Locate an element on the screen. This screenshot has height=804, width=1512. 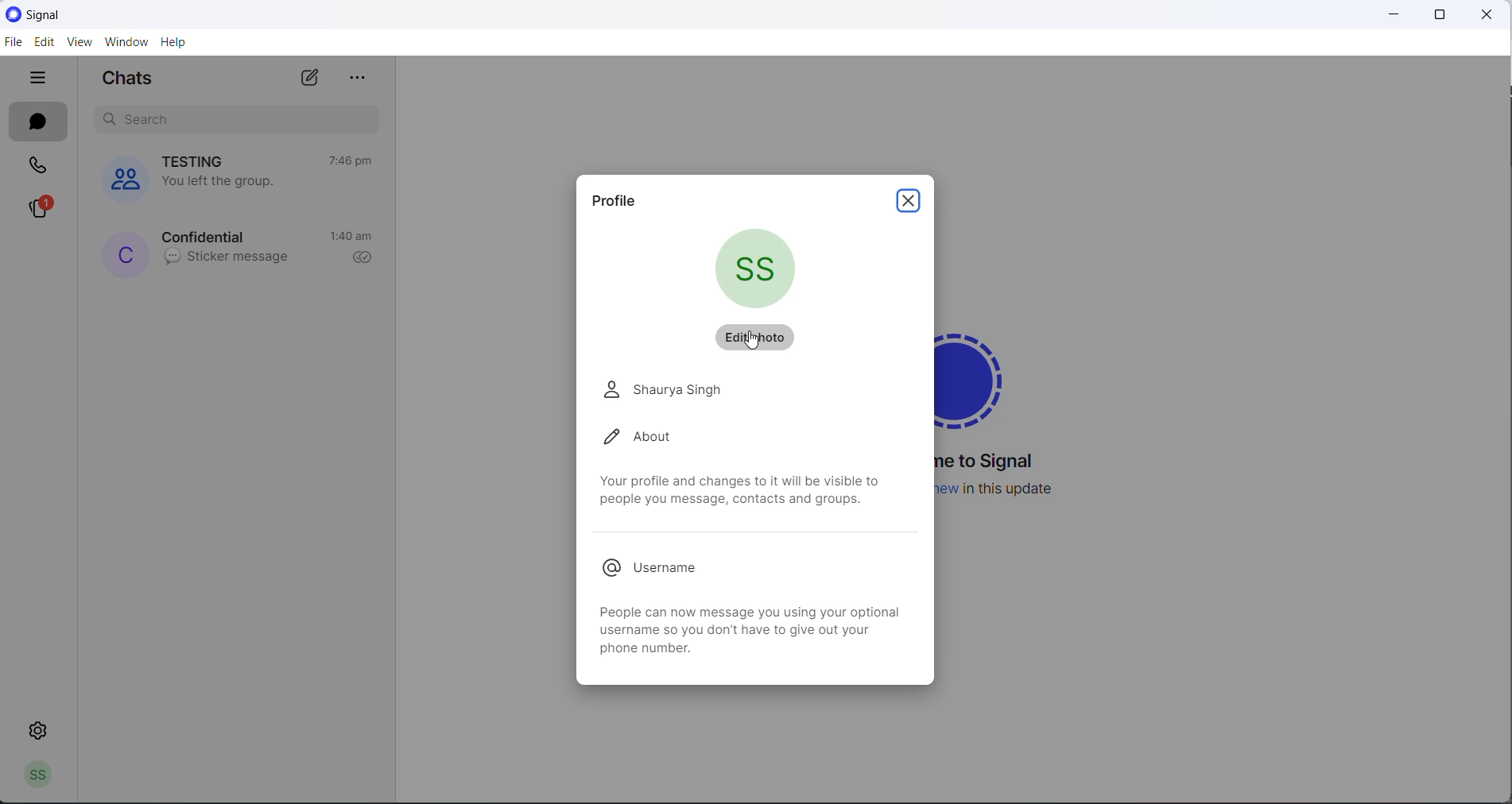
profile related text is located at coordinates (746, 491).